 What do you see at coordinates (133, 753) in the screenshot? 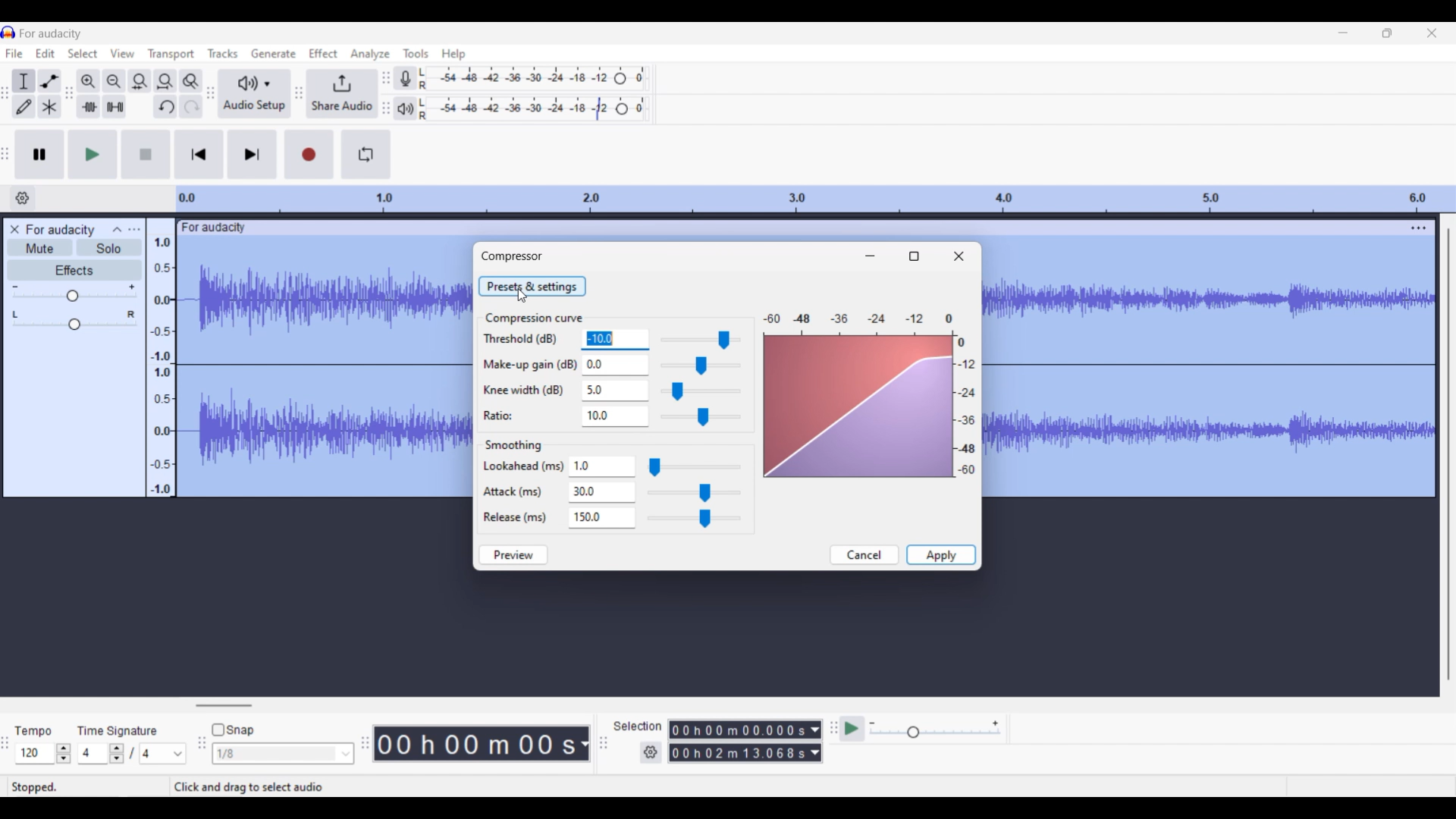
I see `Time signature settings` at bounding box center [133, 753].